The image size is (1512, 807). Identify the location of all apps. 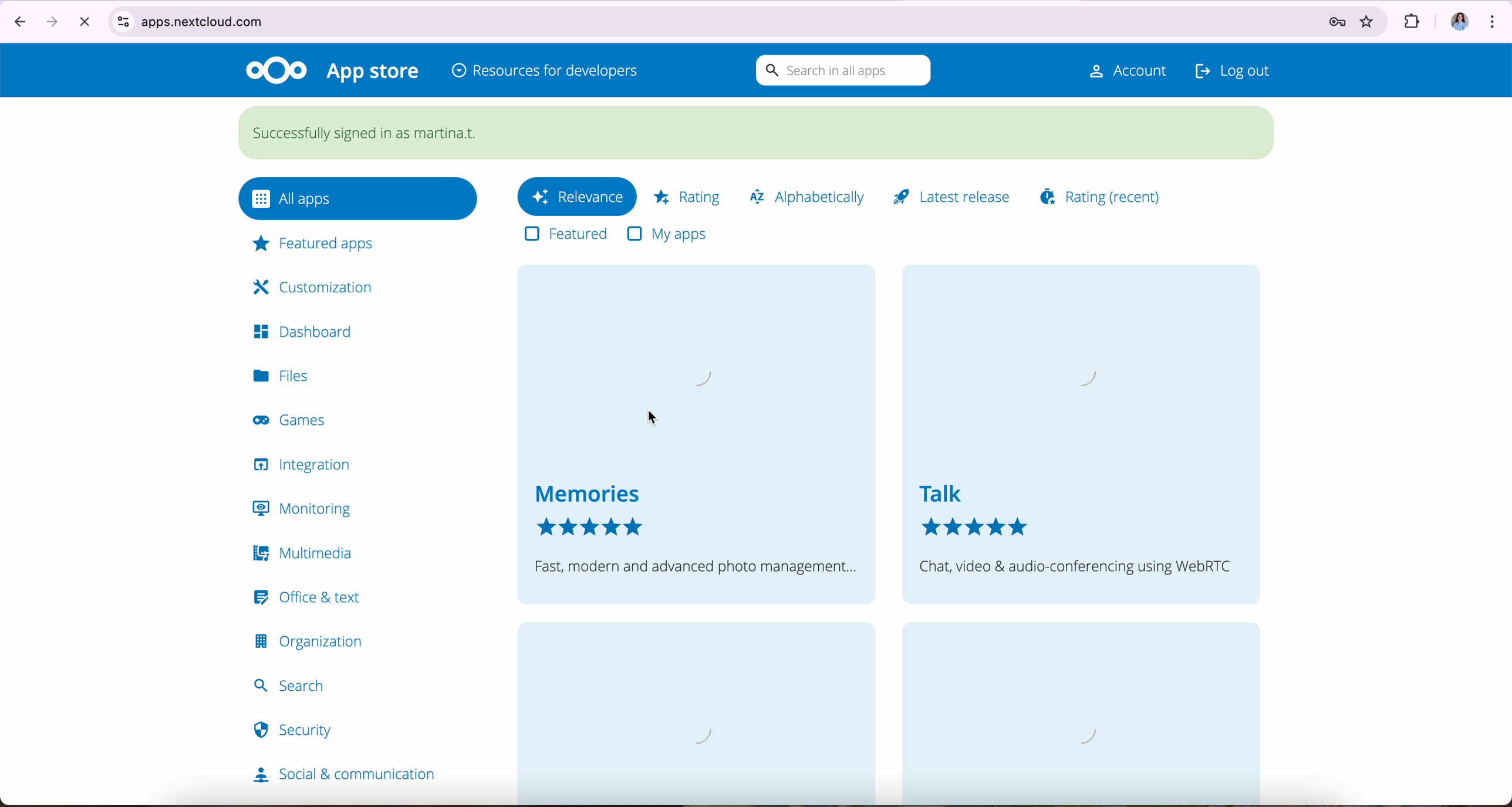
(359, 196).